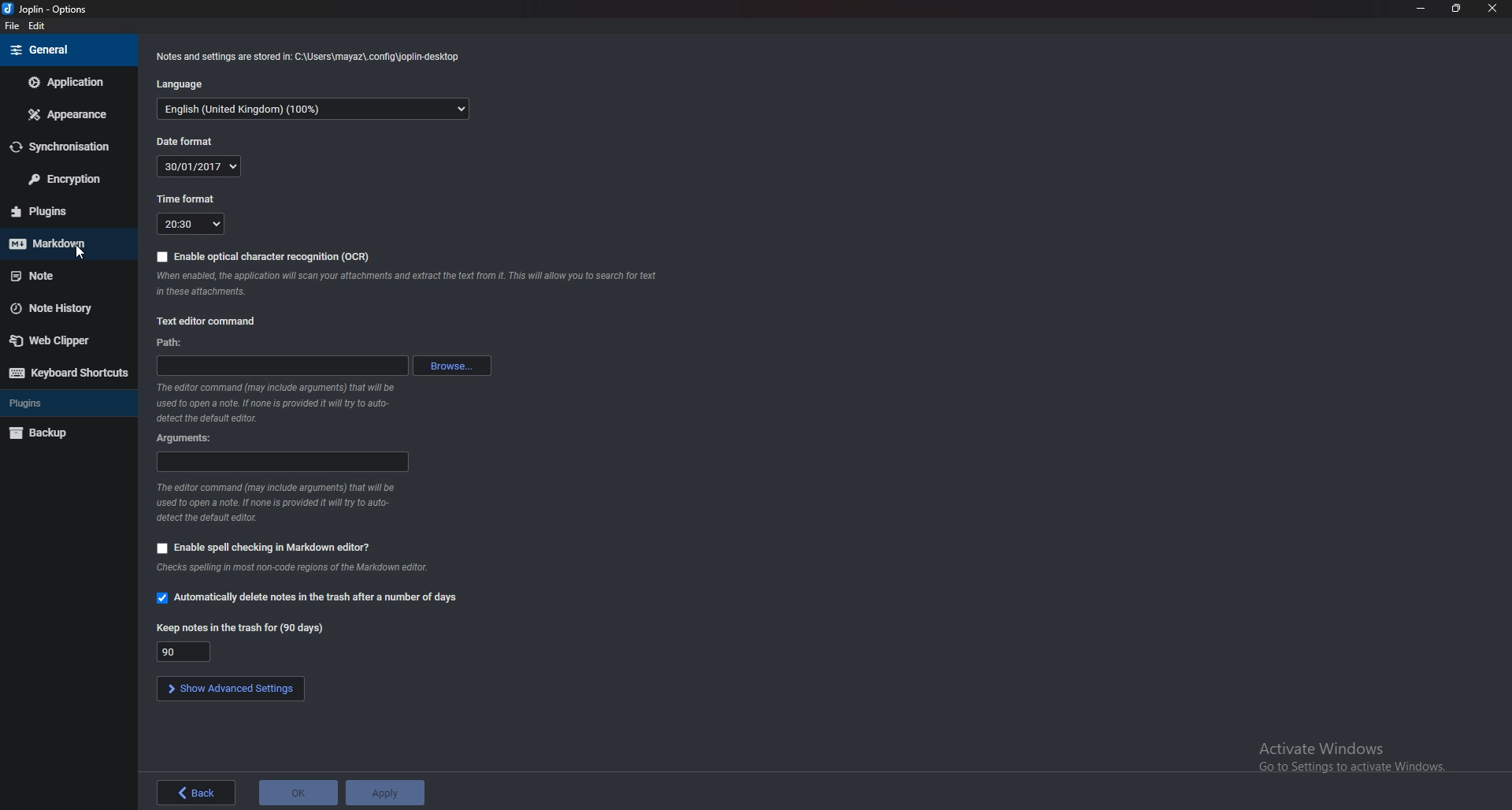  Describe the element at coordinates (242, 627) in the screenshot. I see `Keep notes in the trash` at that location.